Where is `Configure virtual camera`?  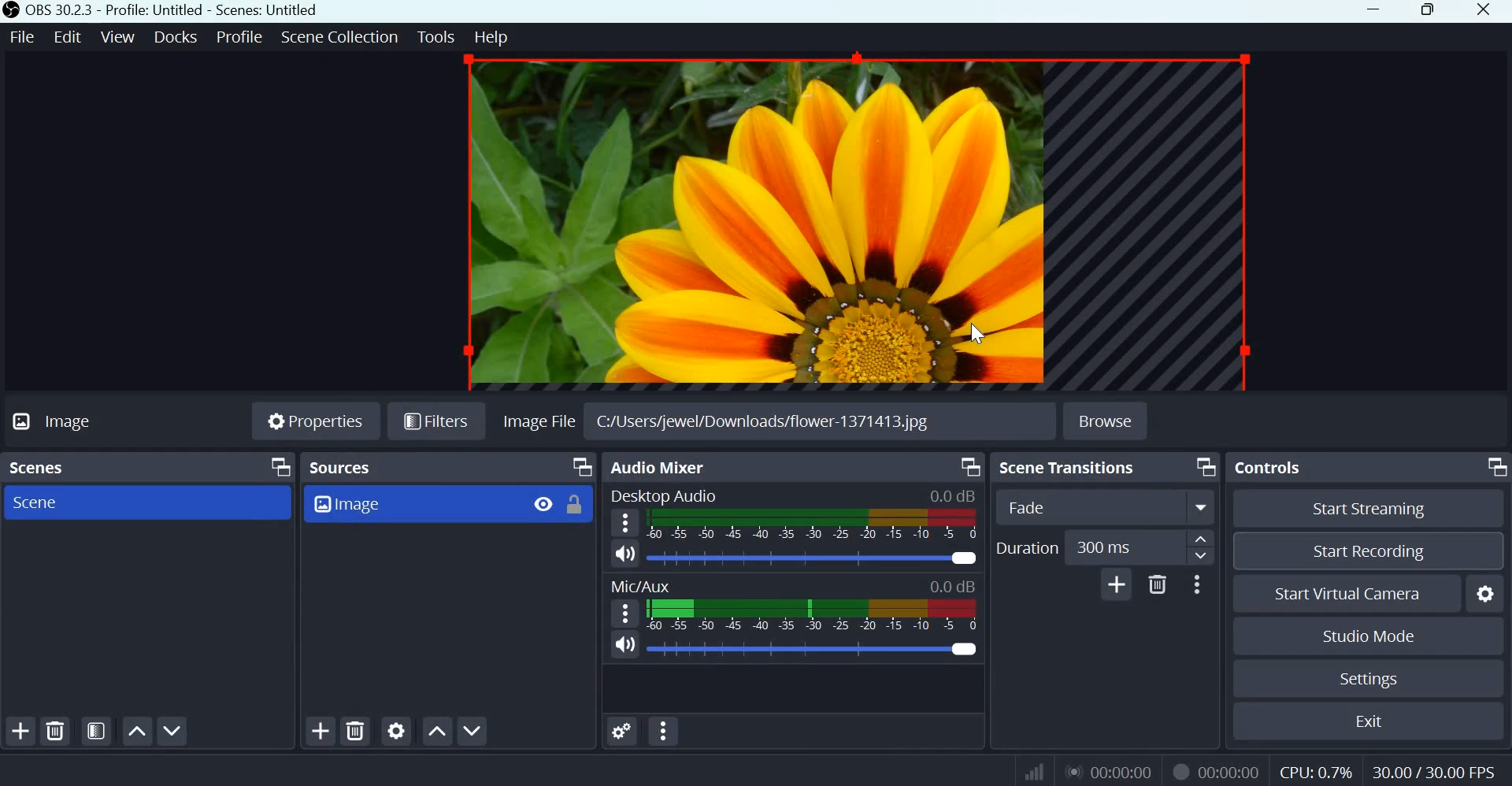
Configure virtual camera is located at coordinates (1486, 591).